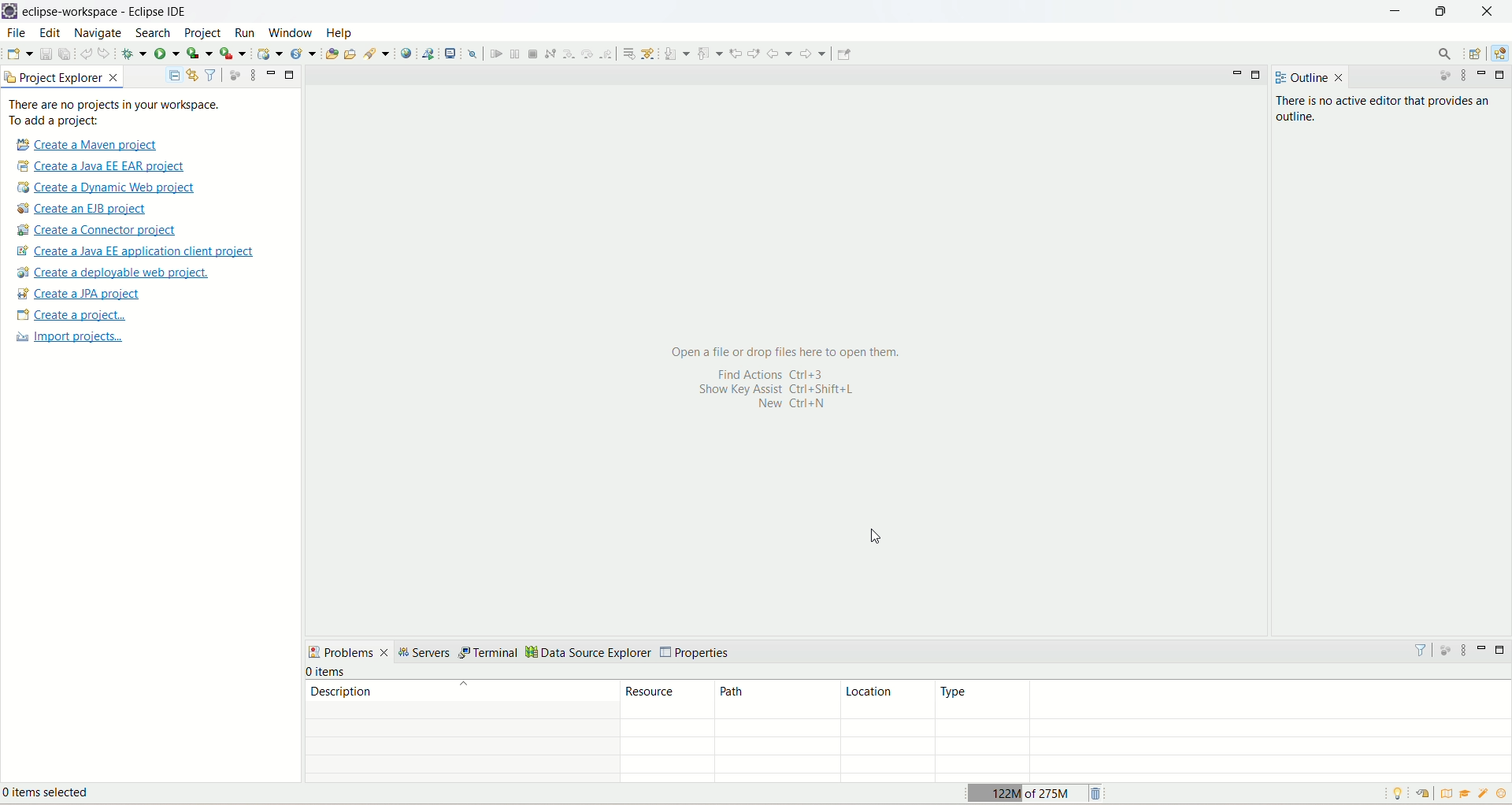 The width and height of the screenshot is (1512, 805). What do you see at coordinates (668, 699) in the screenshot?
I see `resources` at bounding box center [668, 699].